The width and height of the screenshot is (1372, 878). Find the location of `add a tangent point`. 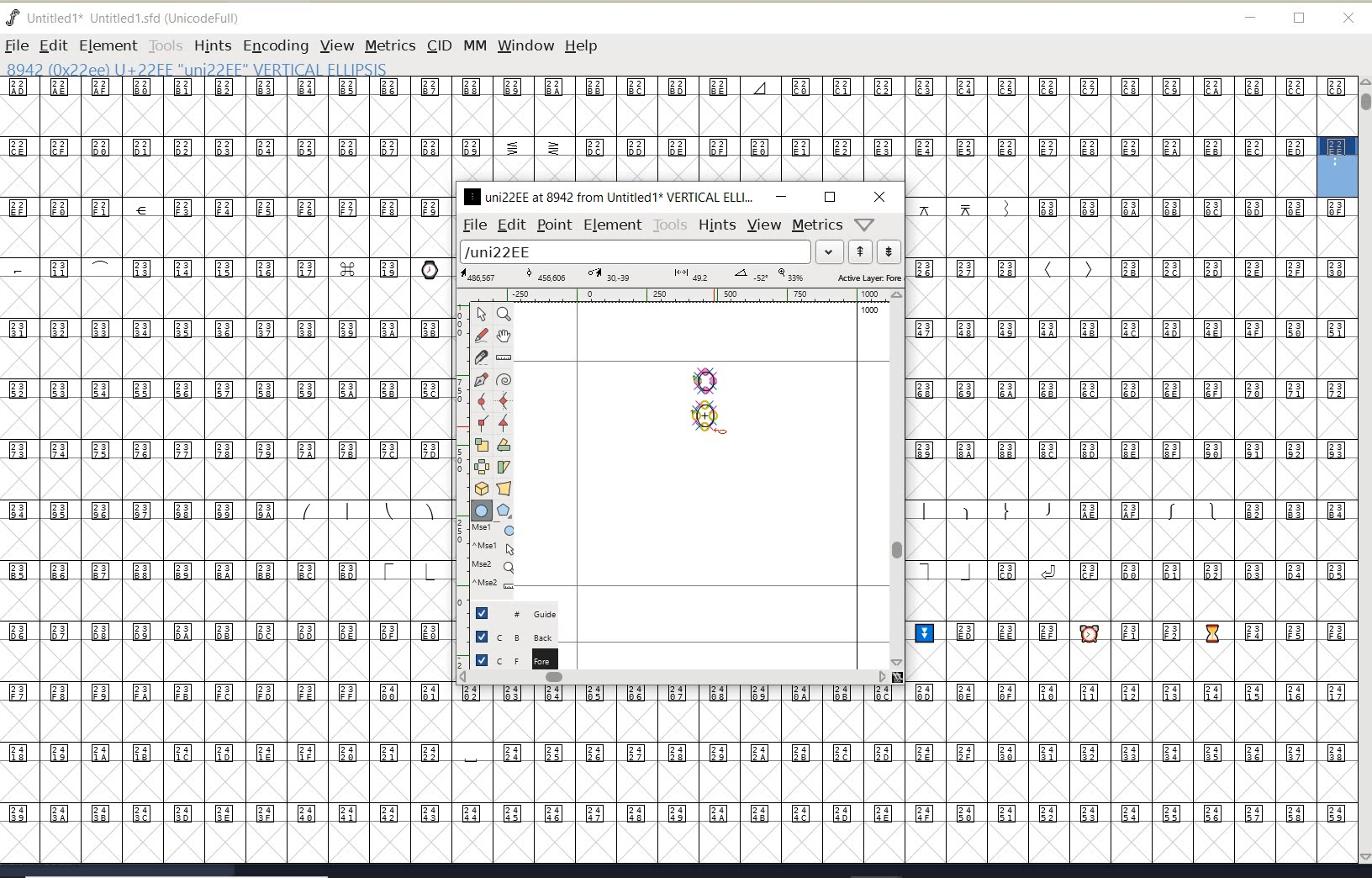

add a tangent point is located at coordinates (502, 420).